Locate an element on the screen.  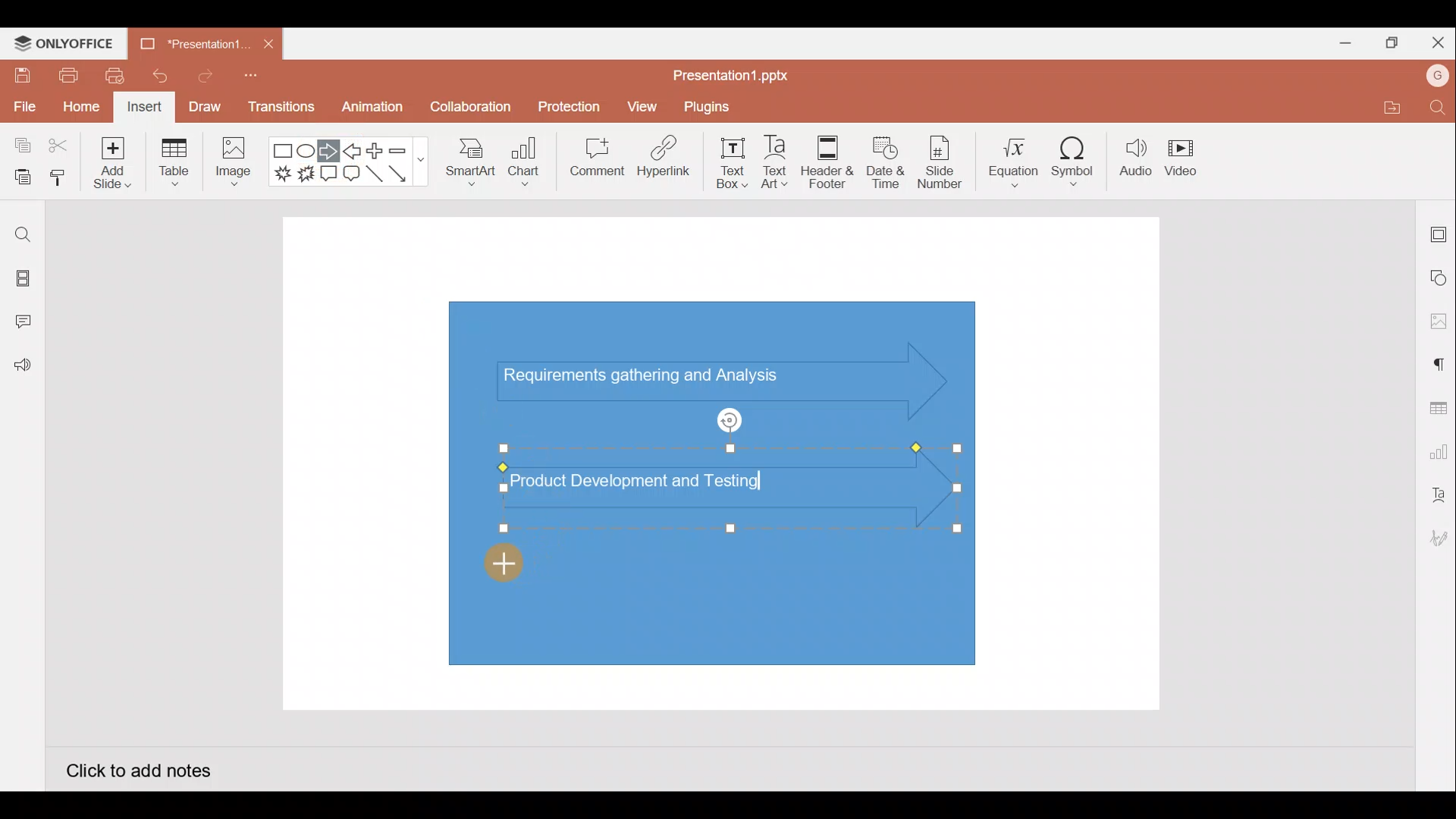
Minus is located at coordinates (406, 149).